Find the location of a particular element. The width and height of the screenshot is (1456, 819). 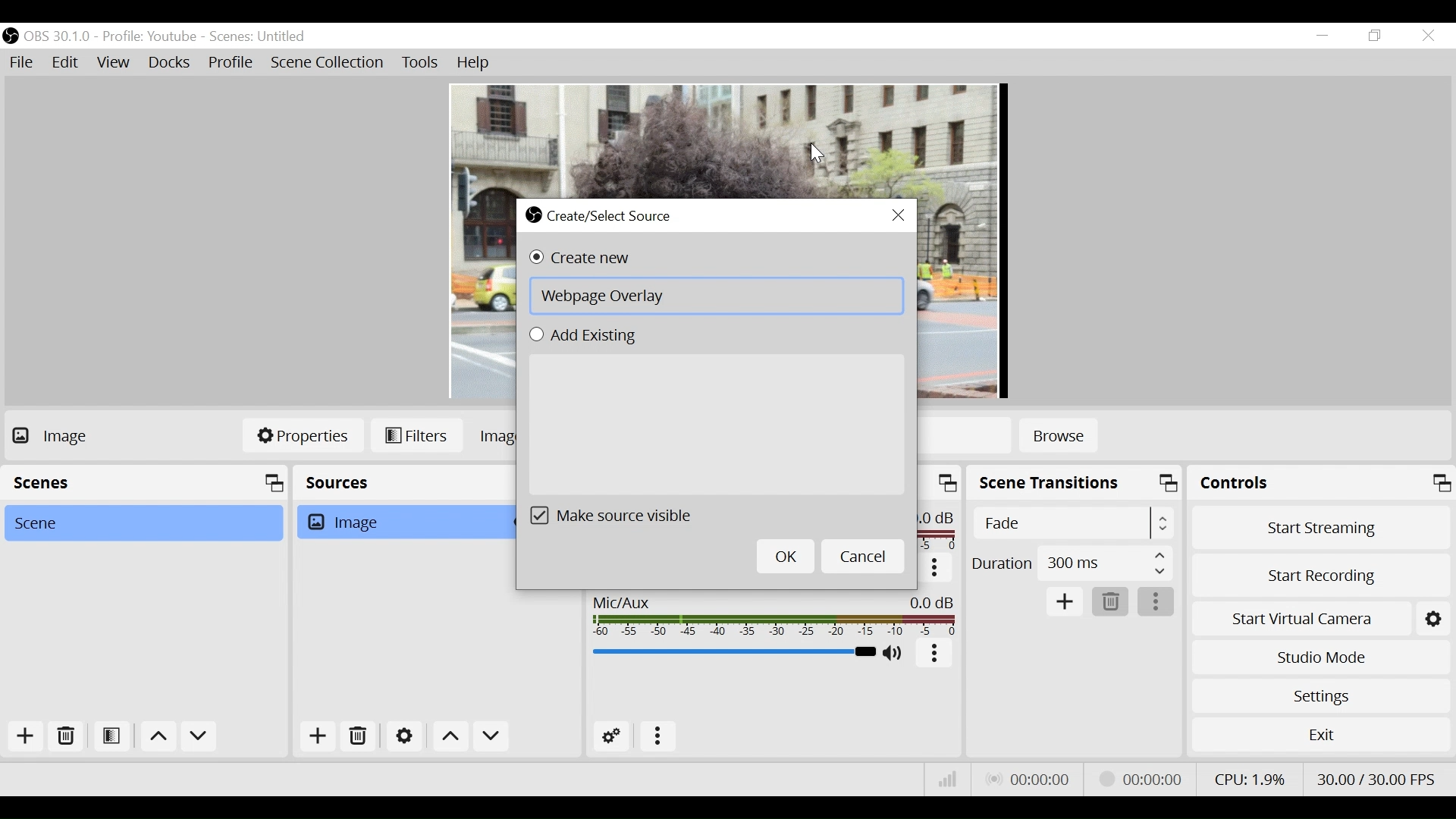

Restore is located at coordinates (1378, 36).